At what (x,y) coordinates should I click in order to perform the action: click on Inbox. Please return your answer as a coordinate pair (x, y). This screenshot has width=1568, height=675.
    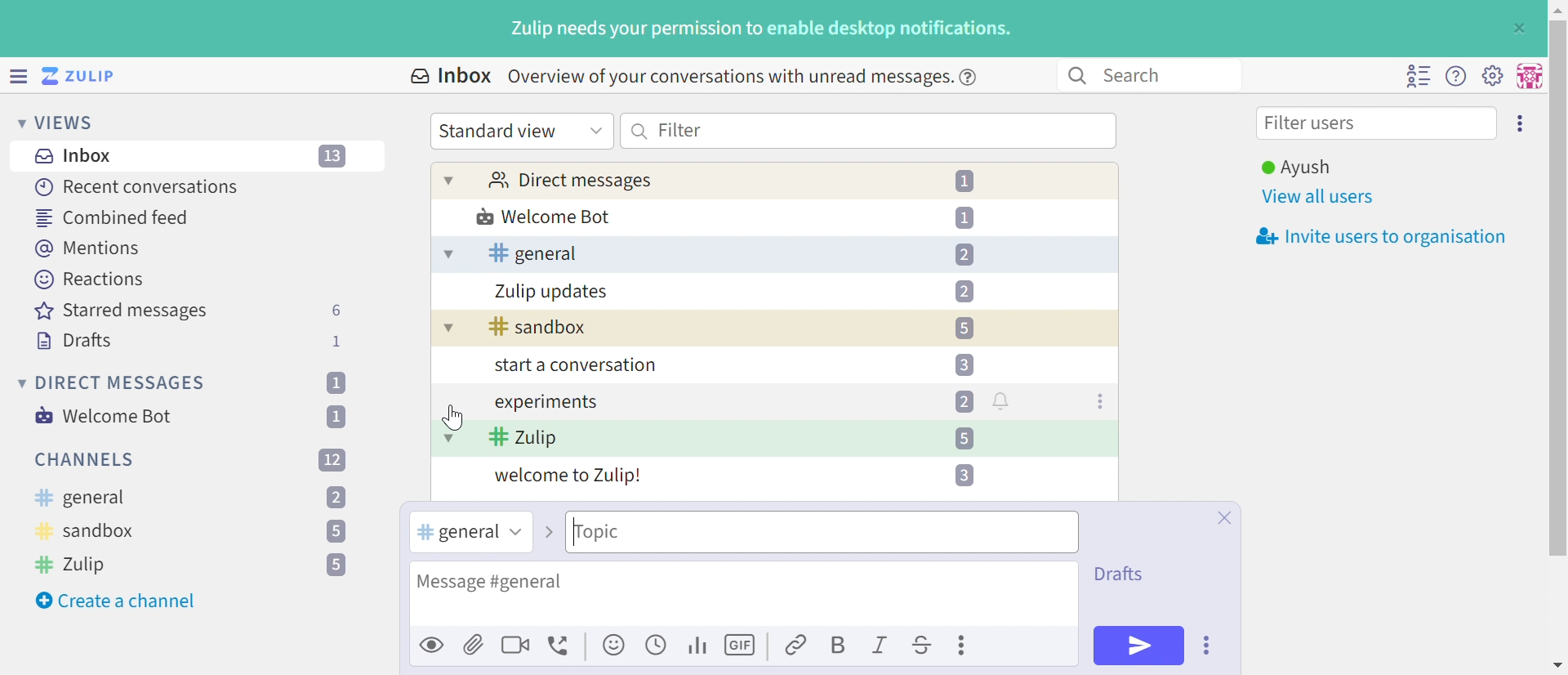
    Looking at the image, I should click on (78, 156).